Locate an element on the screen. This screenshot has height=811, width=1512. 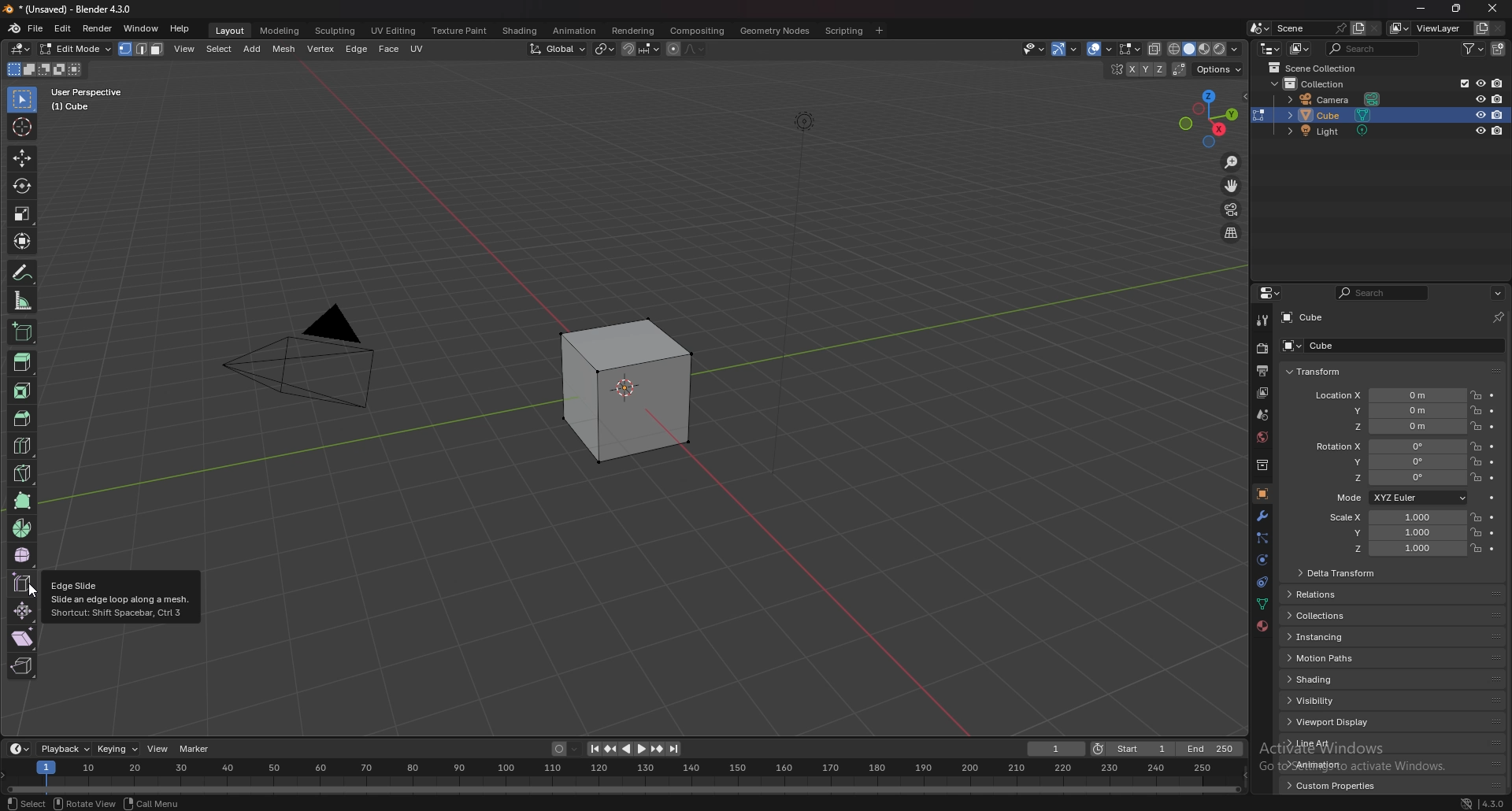
animate property is located at coordinates (1492, 517).